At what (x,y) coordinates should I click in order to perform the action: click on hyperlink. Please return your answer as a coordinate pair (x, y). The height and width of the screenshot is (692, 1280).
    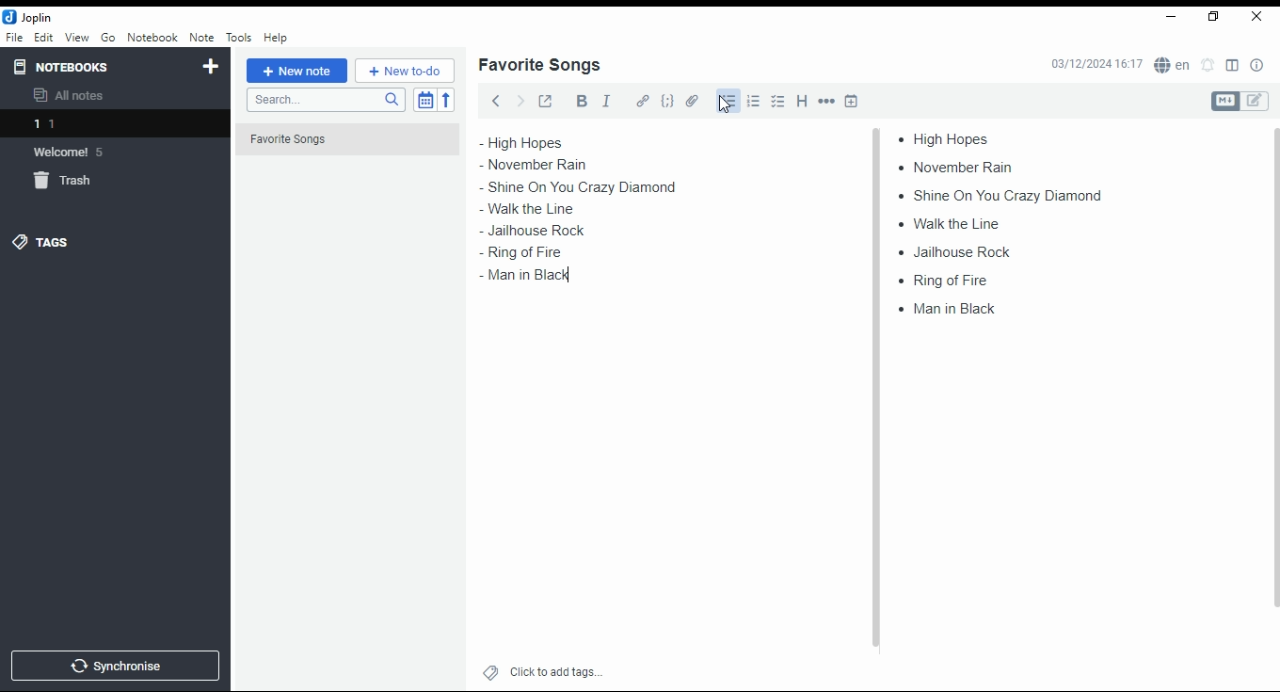
    Looking at the image, I should click on (643, 100).